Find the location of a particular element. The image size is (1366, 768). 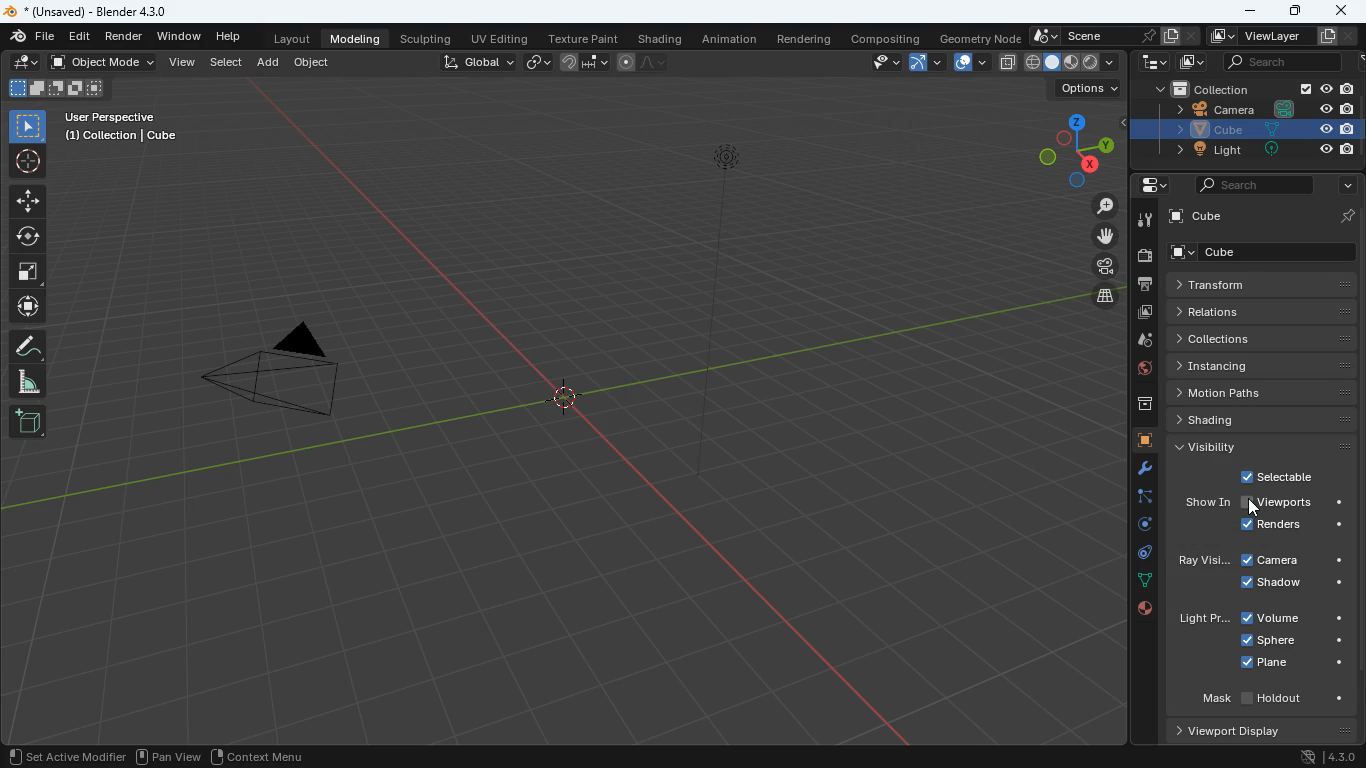

print is located at coordinates (1144, 284).